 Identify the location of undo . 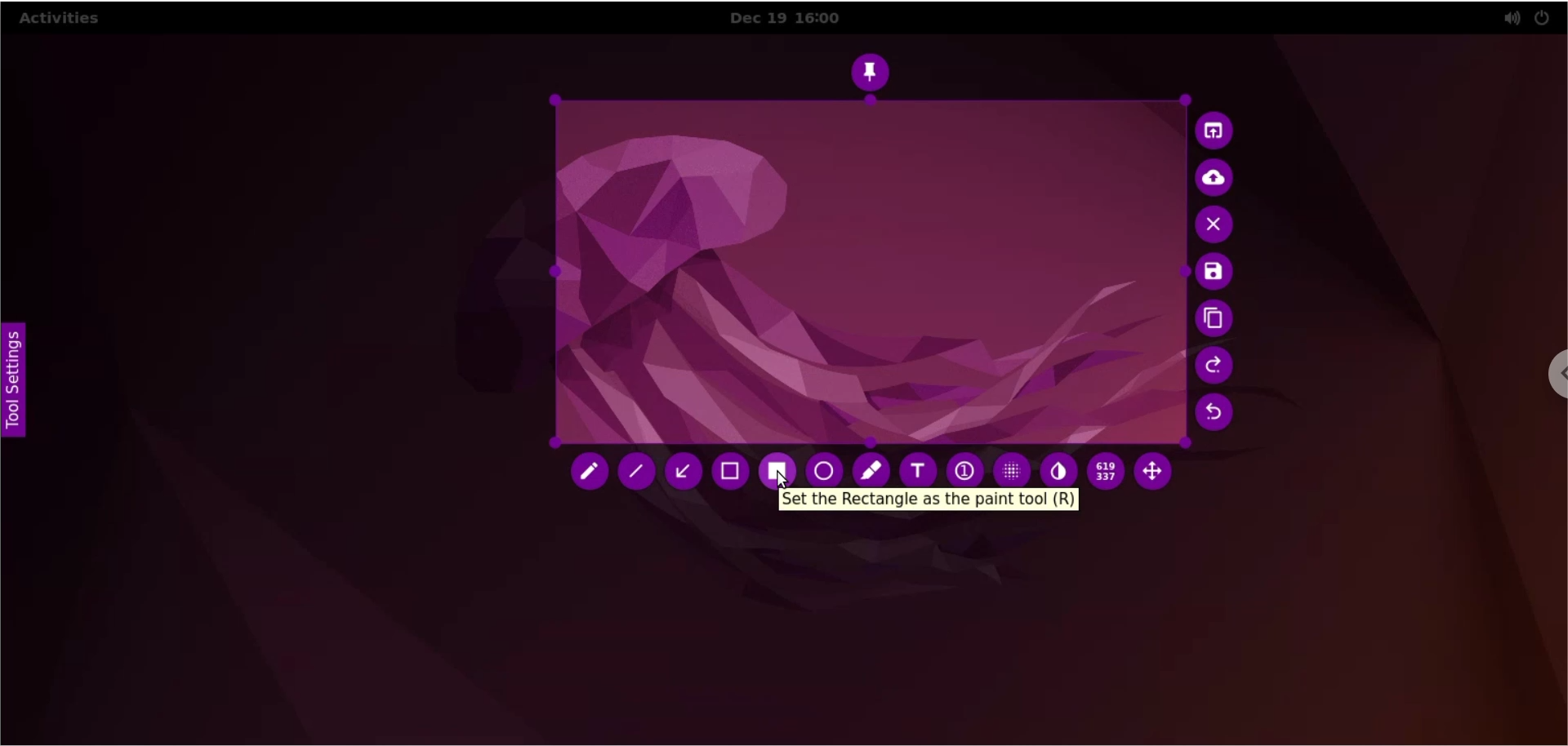
(1214, 416).